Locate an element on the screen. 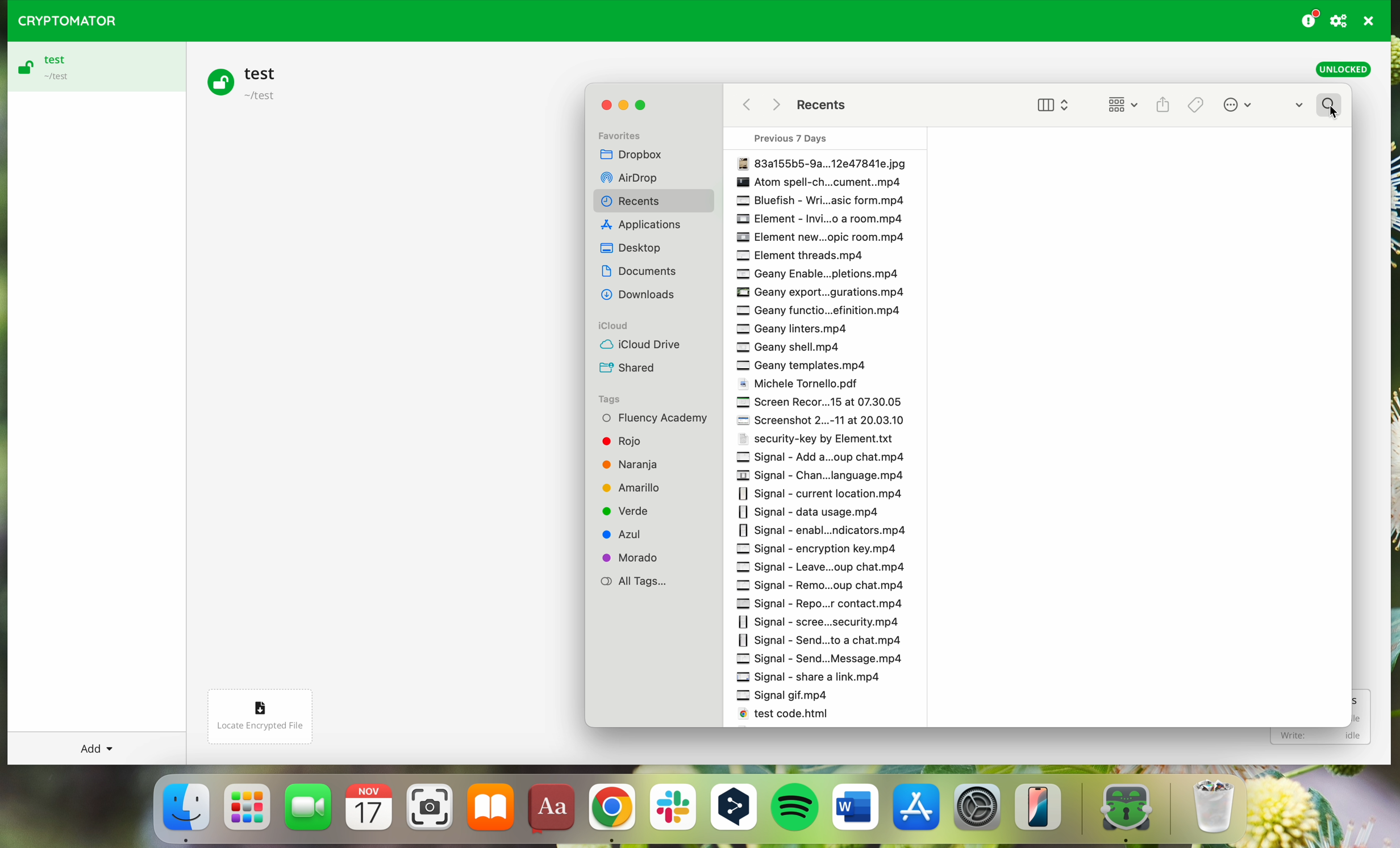 Image resolution: width=1400 pixels, height=848 pixels. Signal send message is located at coordinates (824, 659).